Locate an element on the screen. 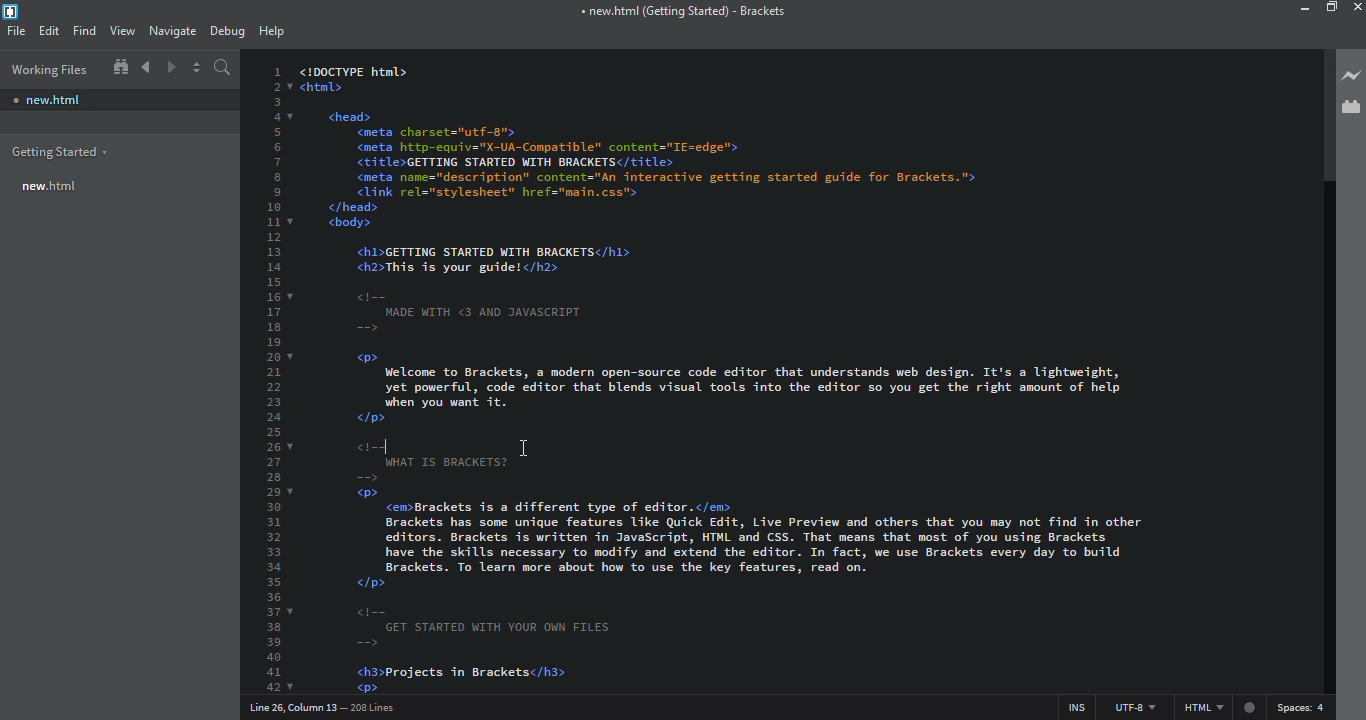 The image size is (1366, 720). utf 8 is located at coordinates (1134, 704).